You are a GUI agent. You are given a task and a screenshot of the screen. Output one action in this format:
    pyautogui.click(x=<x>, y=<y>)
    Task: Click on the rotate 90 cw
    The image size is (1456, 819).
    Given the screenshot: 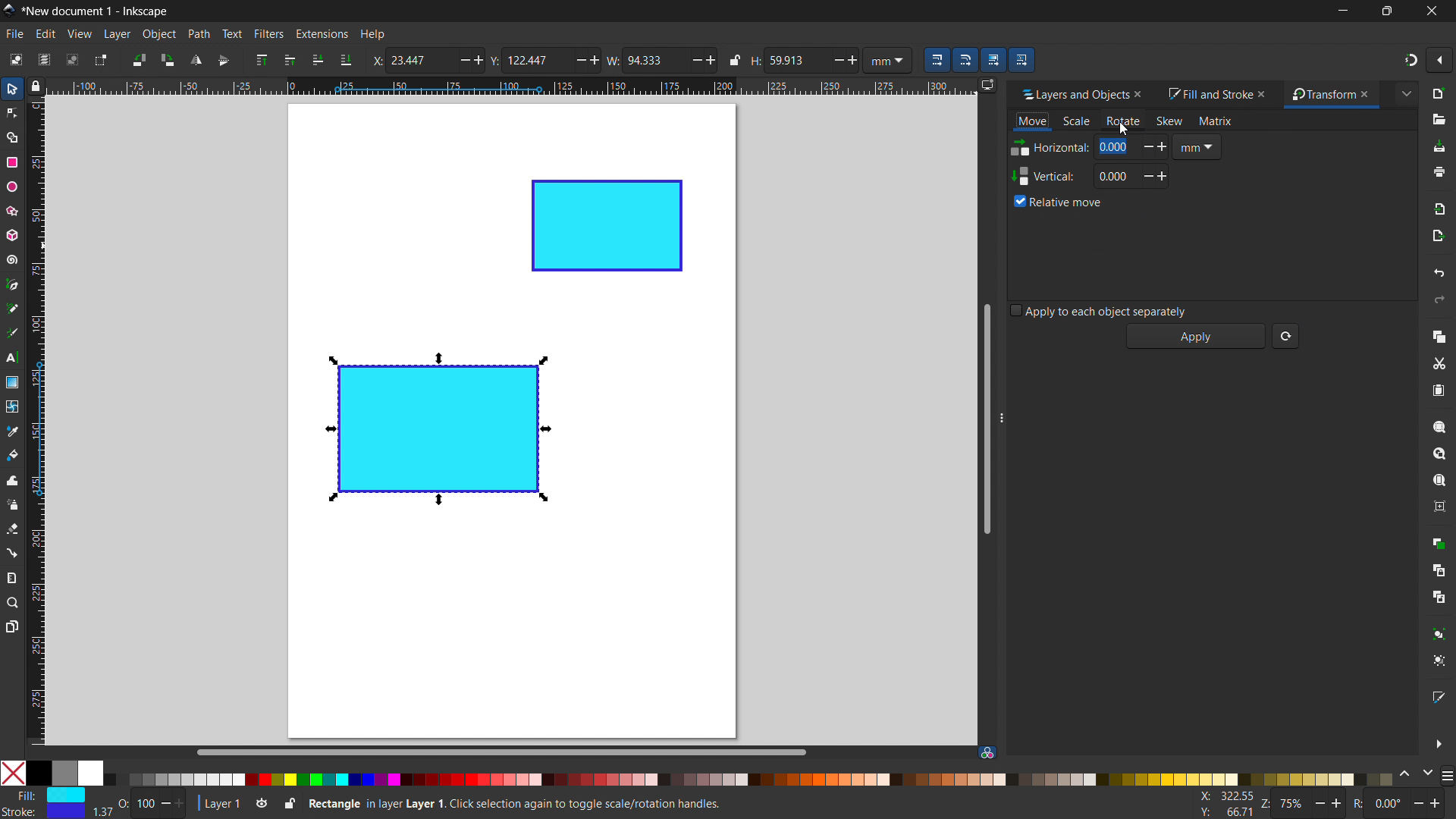 What is the action you would take?
    pyautogui.click(x=167, y=60)
    